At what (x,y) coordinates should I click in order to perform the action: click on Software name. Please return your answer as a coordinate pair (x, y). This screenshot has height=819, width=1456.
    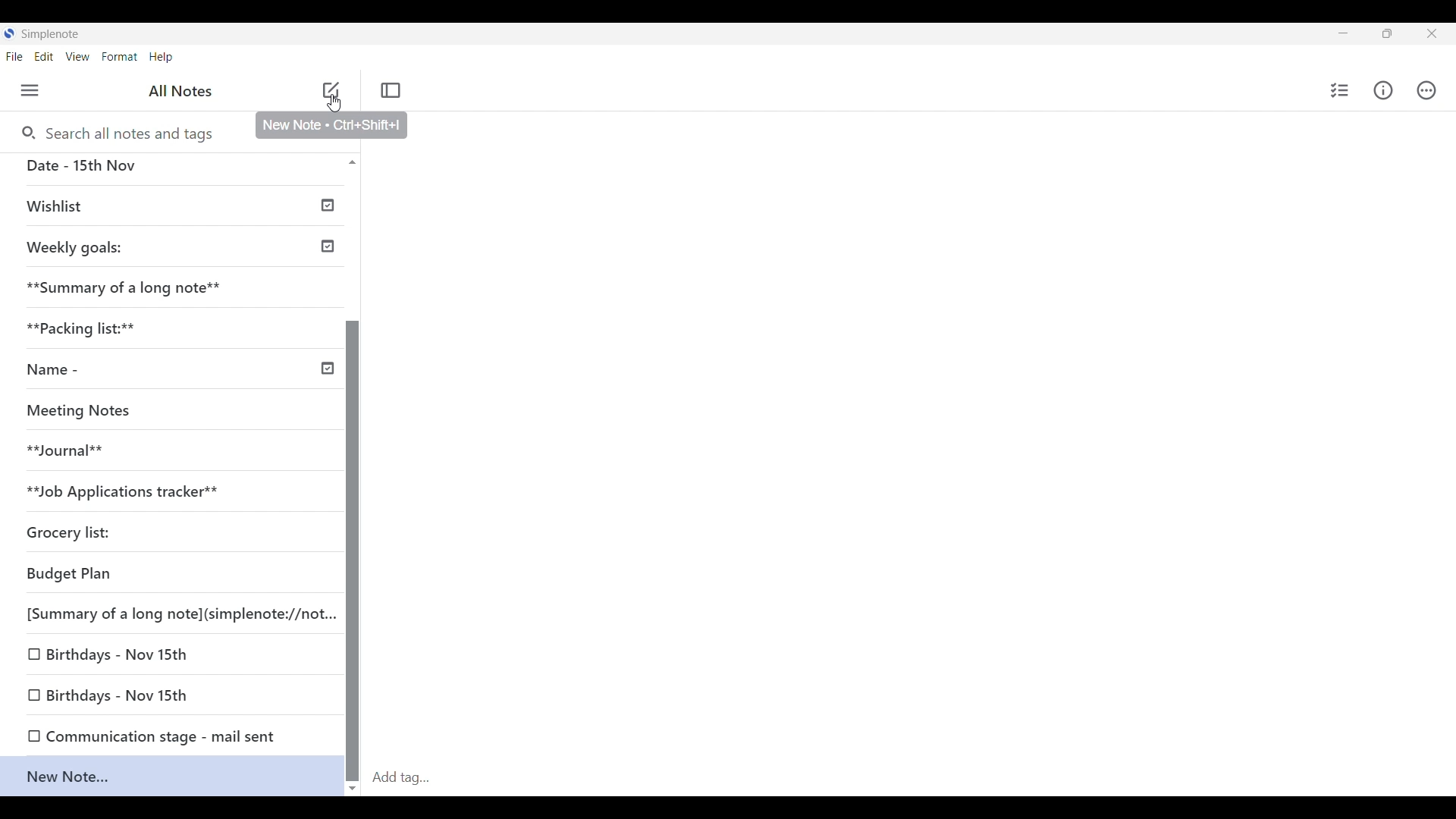
    Looking at the image, I should click on (50, 34).